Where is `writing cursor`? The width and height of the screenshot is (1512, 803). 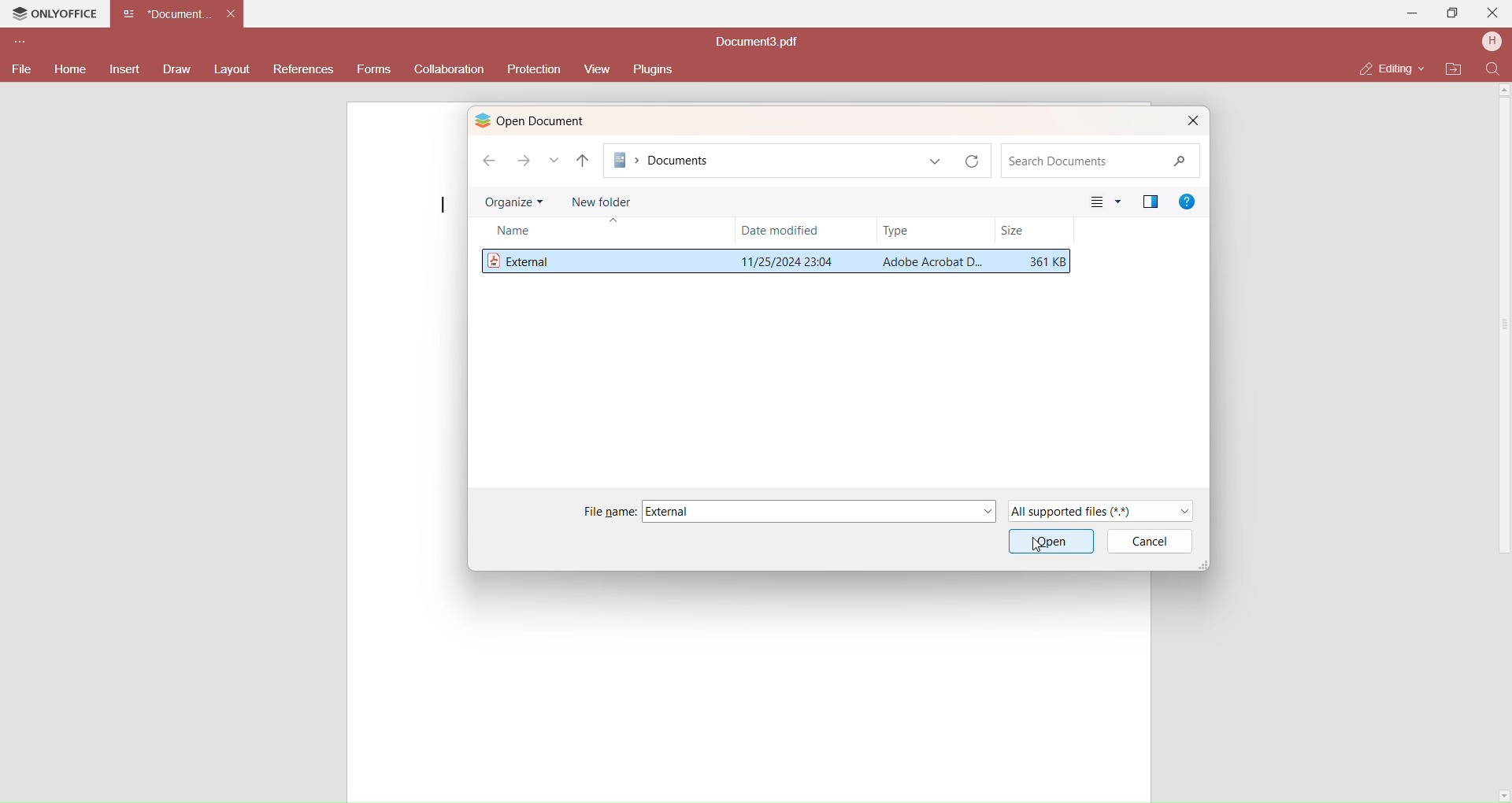
writing cursor is located at coordinates (443, 205).